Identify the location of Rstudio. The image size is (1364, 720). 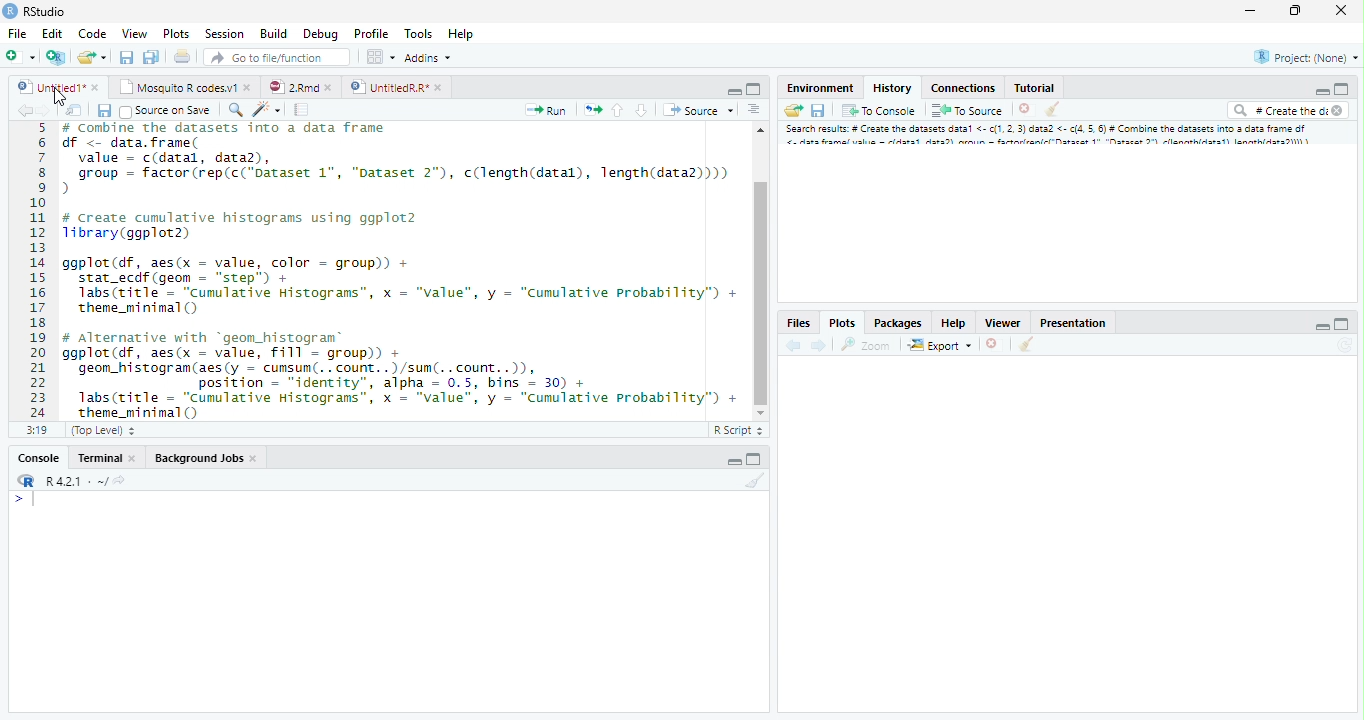
(34, 10).